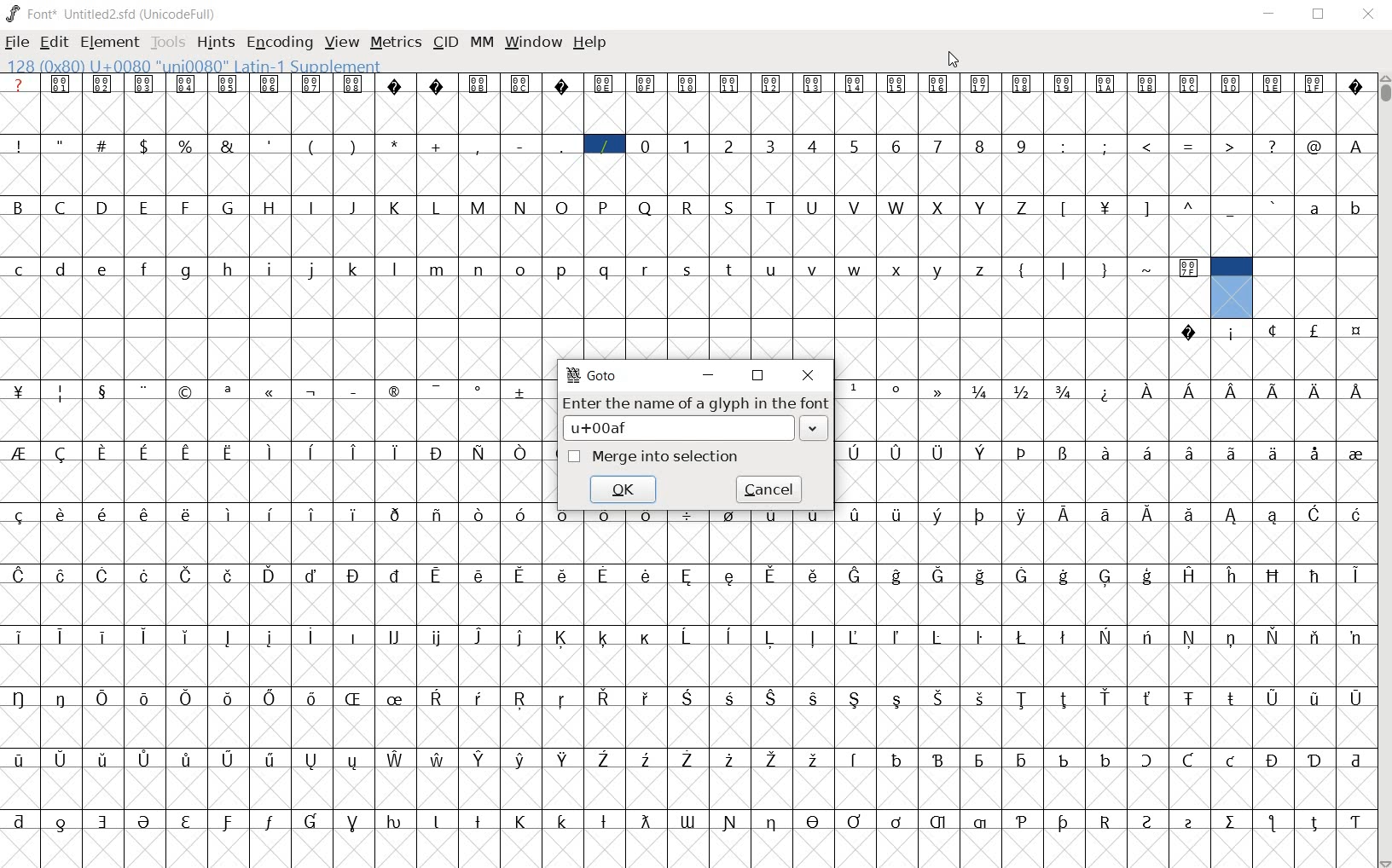 This screenshot has width=1392, height=868. I want to click on Symbol, so click(1315, 696).